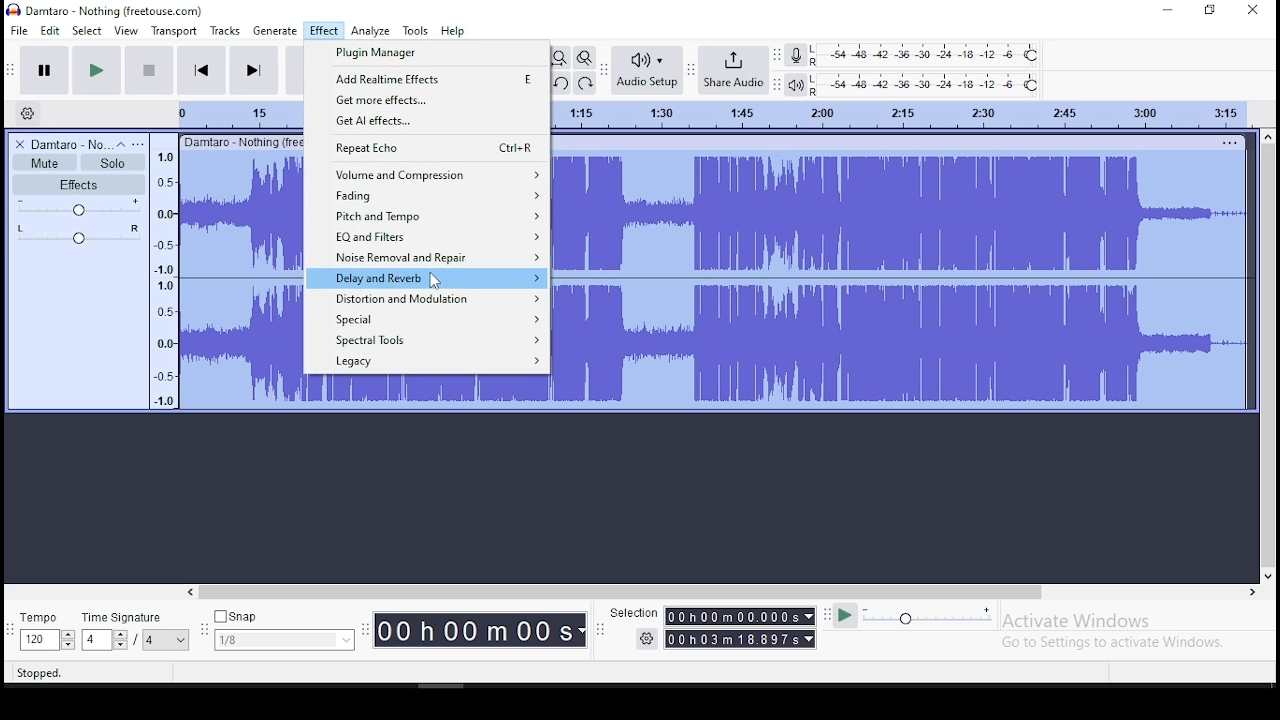  What do you see at coordinates (78, 184) in the screenshot?
I see `effects` at bounding box center [78, 184].